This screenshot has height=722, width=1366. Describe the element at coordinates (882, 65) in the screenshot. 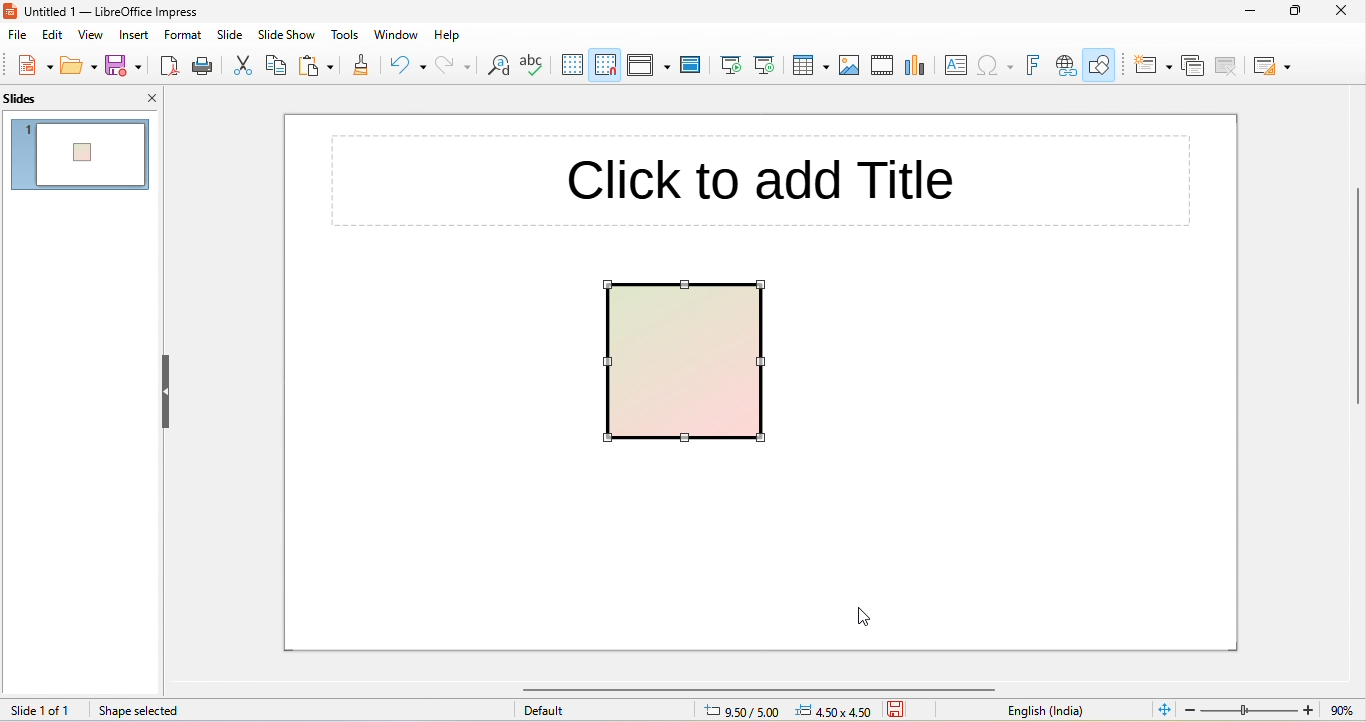

I see `media` at that location.